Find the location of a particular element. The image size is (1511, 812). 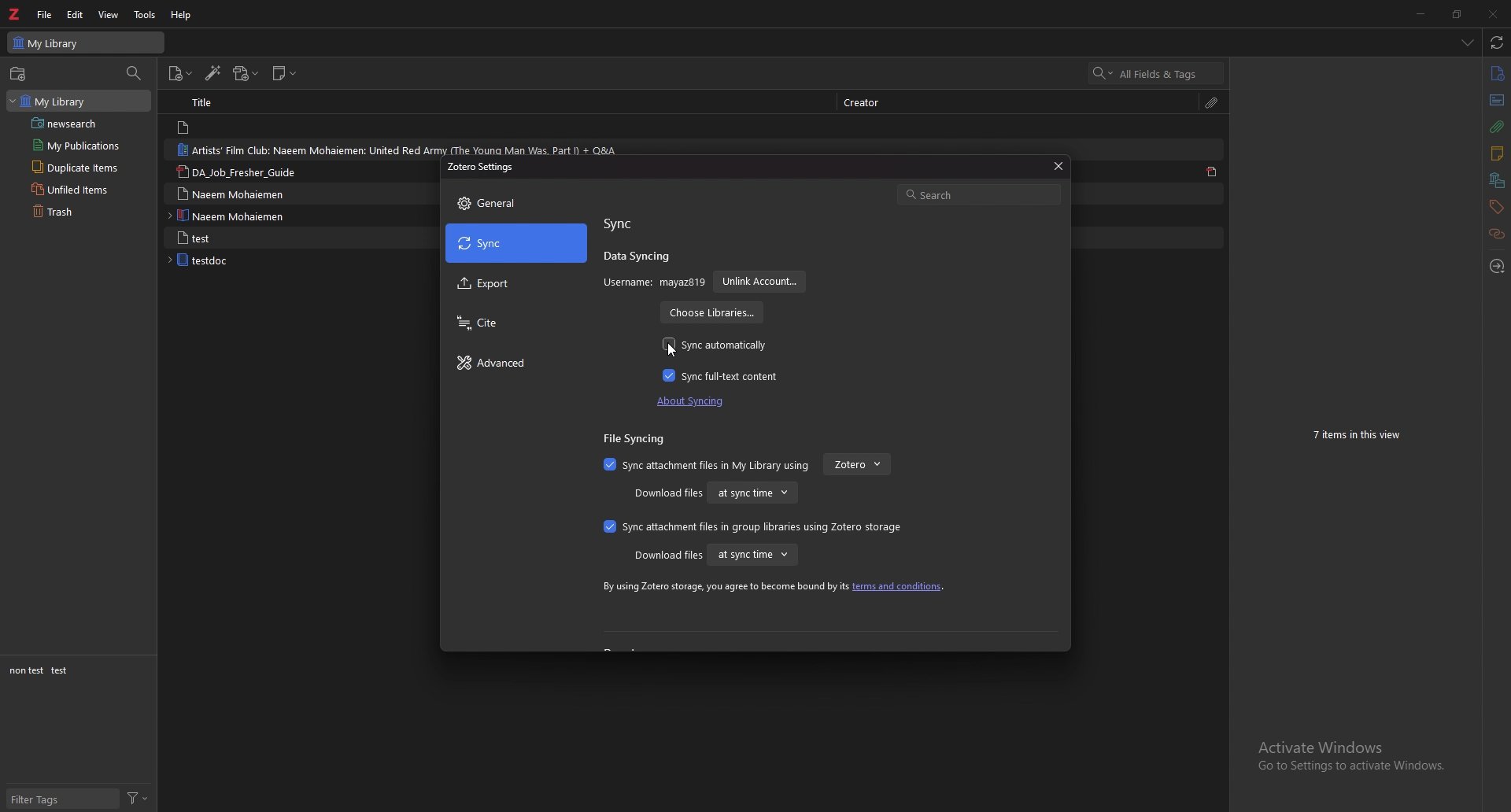

terms and conditions is located at coordinates (899, 587).